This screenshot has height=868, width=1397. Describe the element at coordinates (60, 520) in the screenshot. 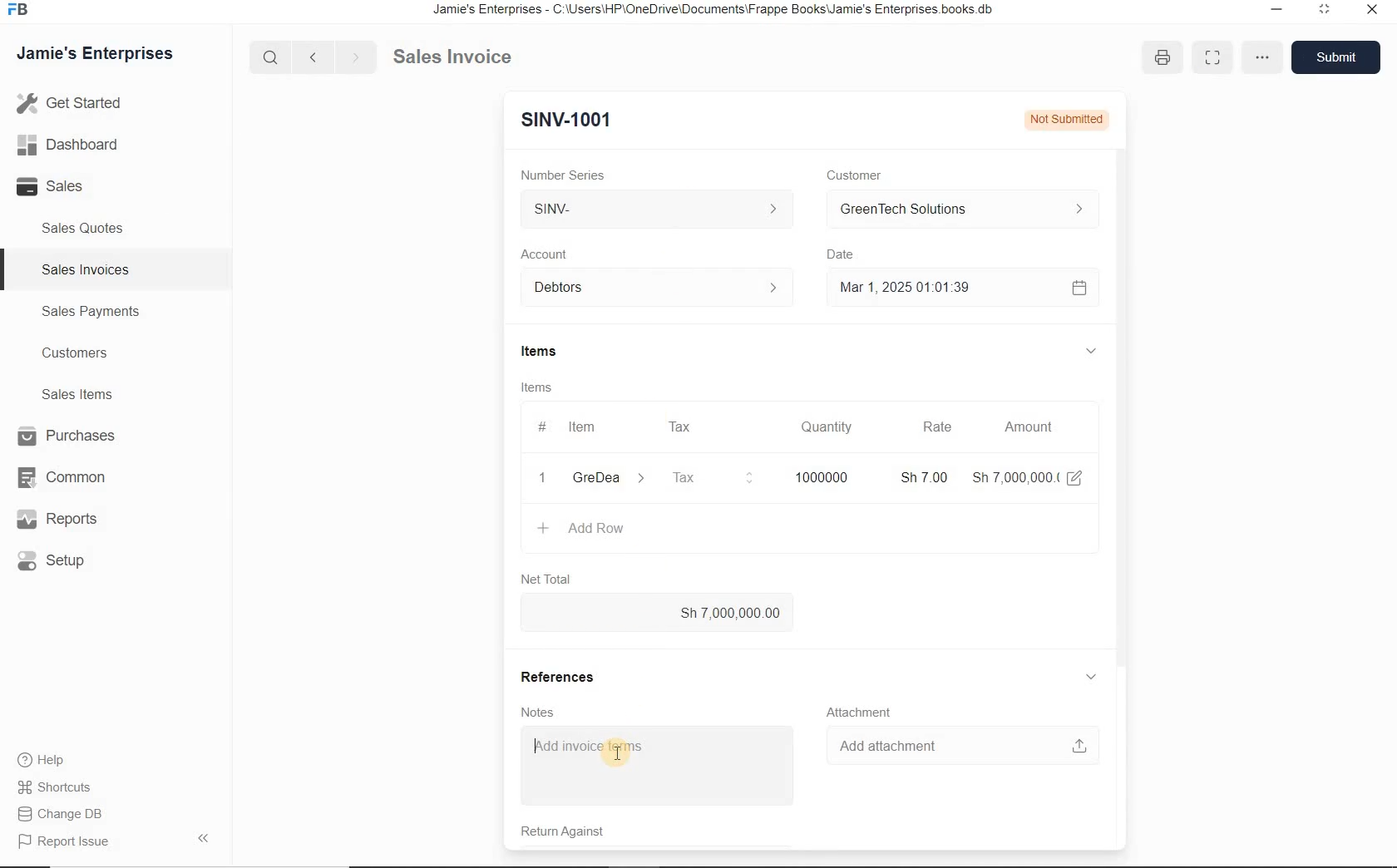

I see `, Reports` at that location.